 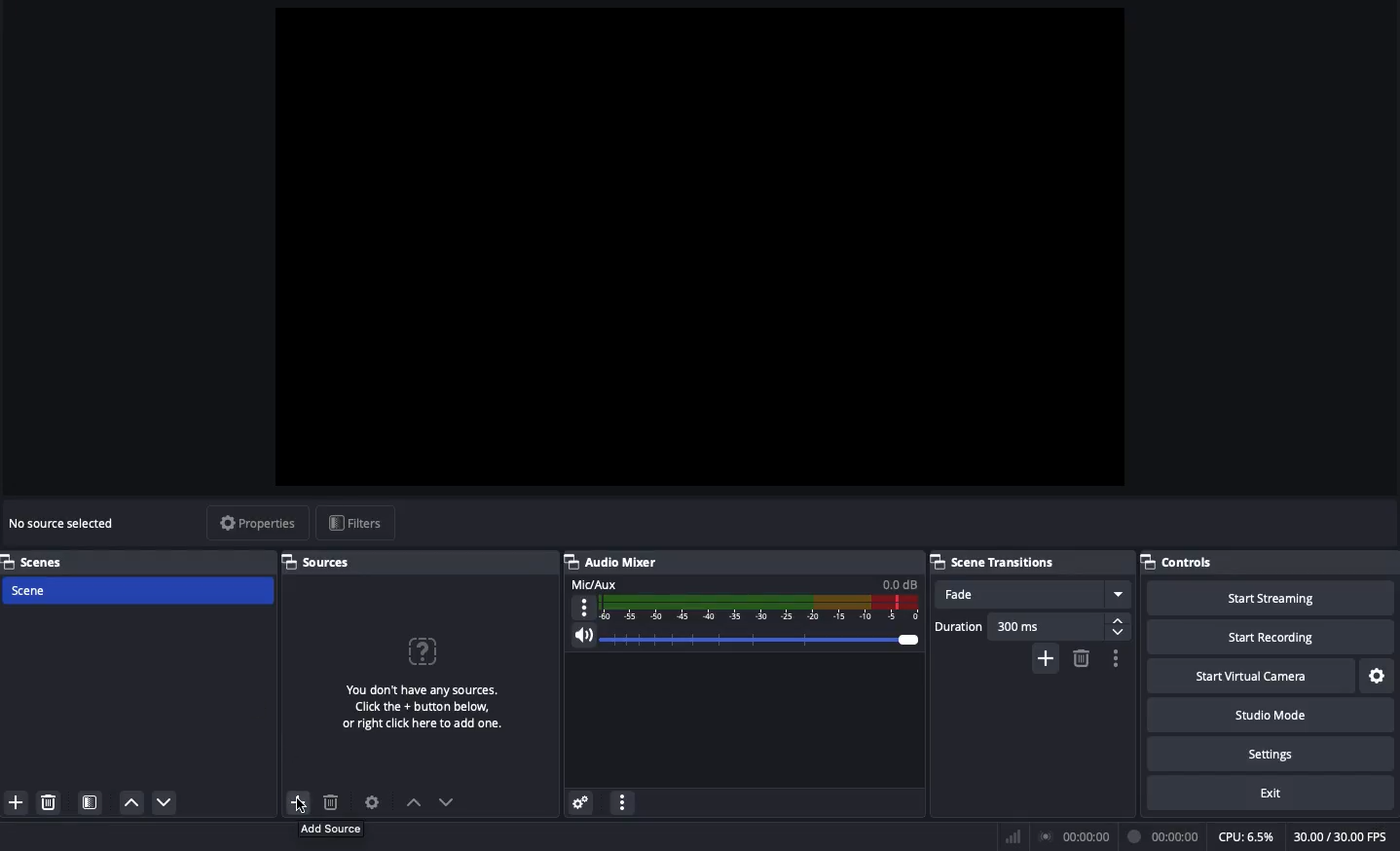 I want to click on Exit, so click(x=1270, y=794).